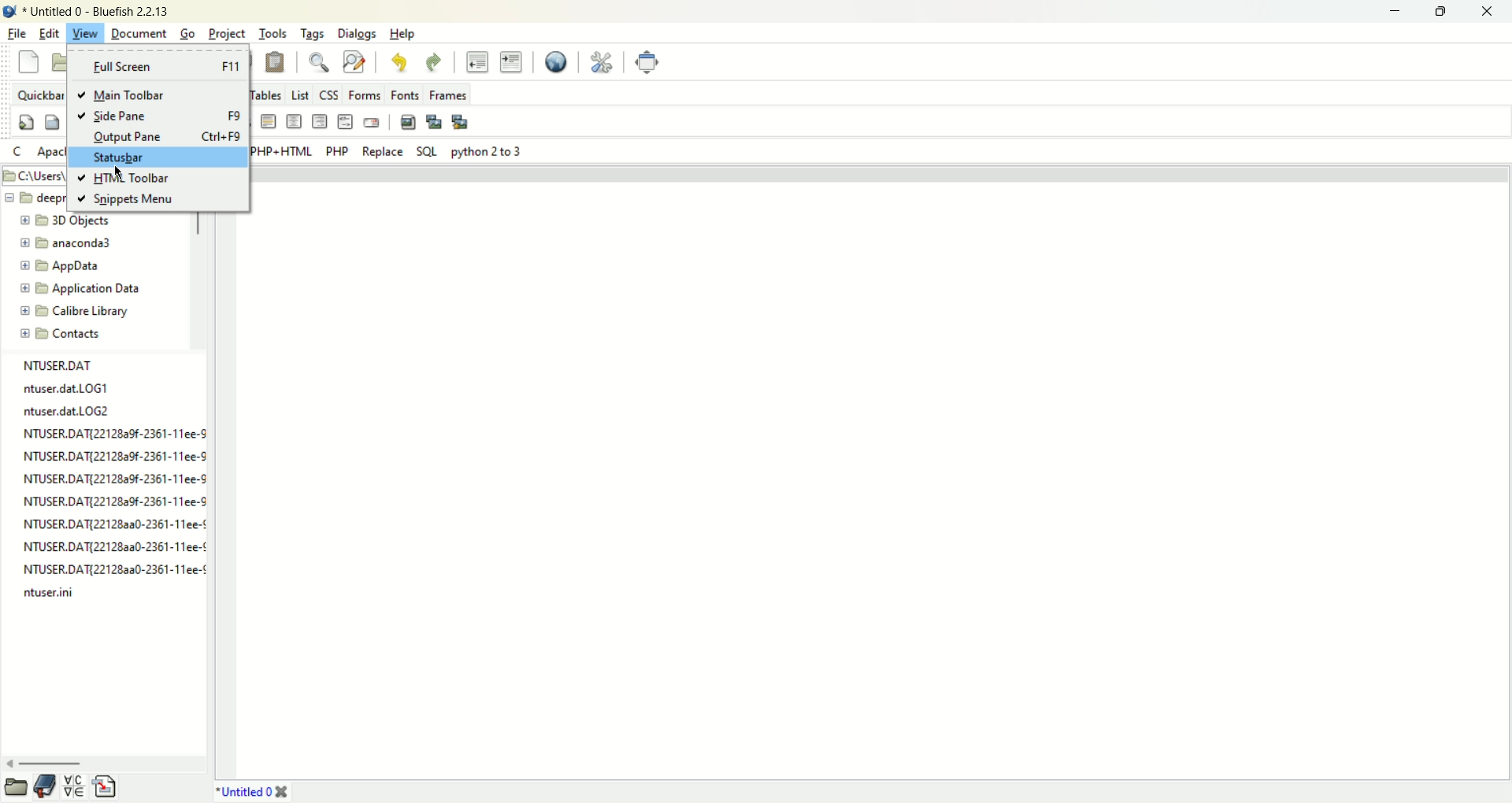  I want to click on output pane, so click(162, 136).